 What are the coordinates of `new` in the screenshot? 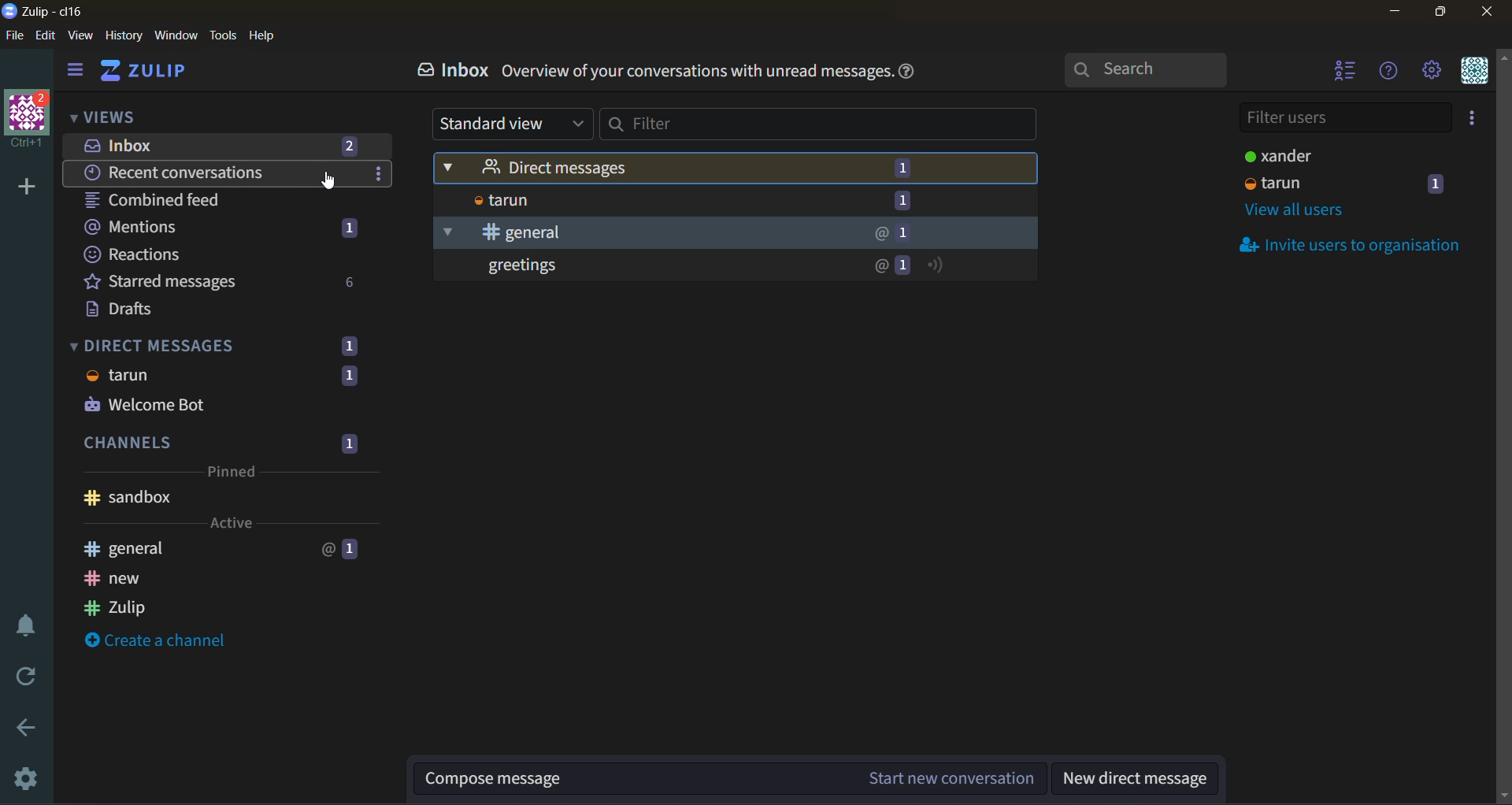 It's located at (206, 578).